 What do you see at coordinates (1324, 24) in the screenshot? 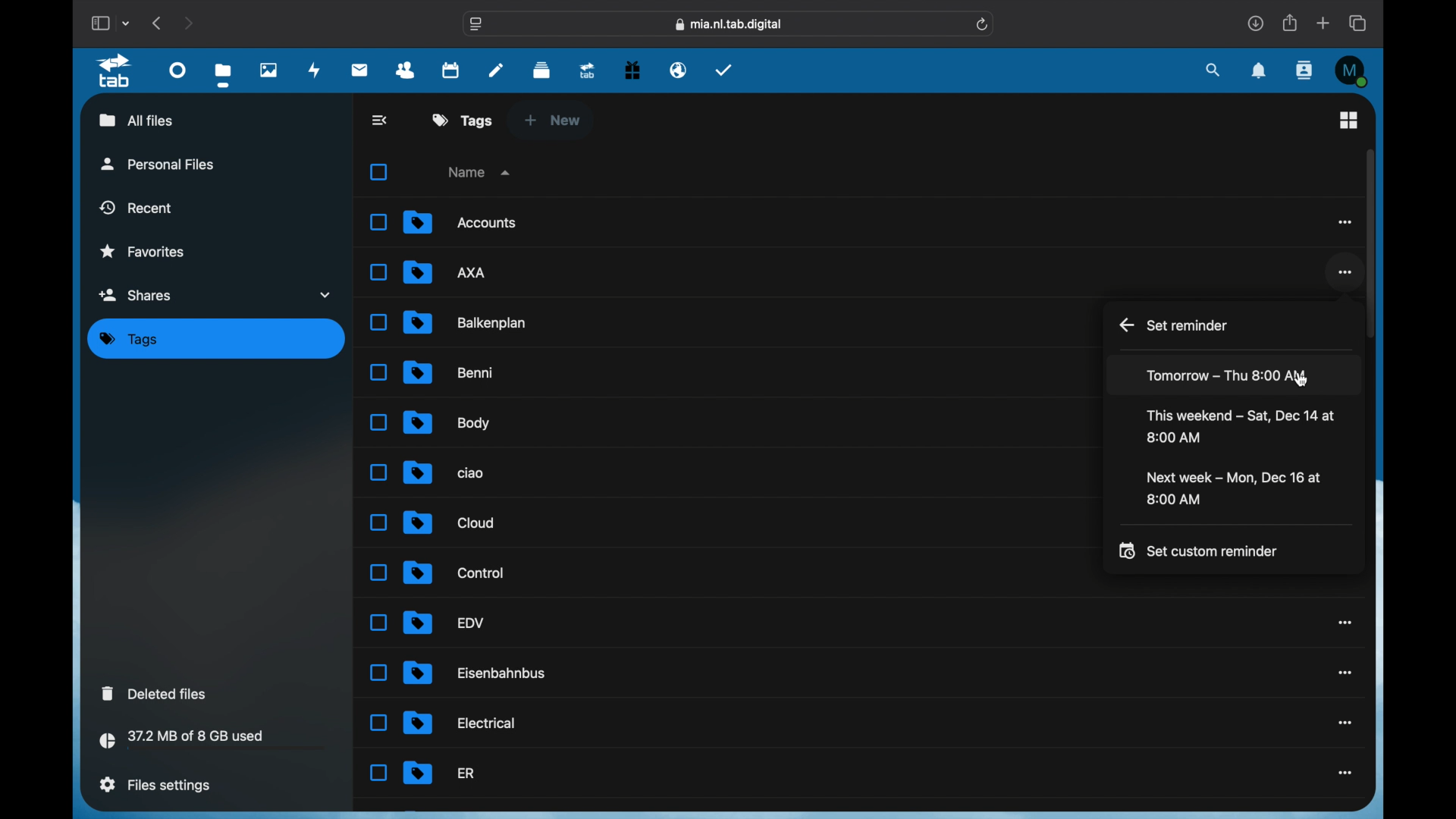
I see `new tab` at bounding box center [1324, 24].